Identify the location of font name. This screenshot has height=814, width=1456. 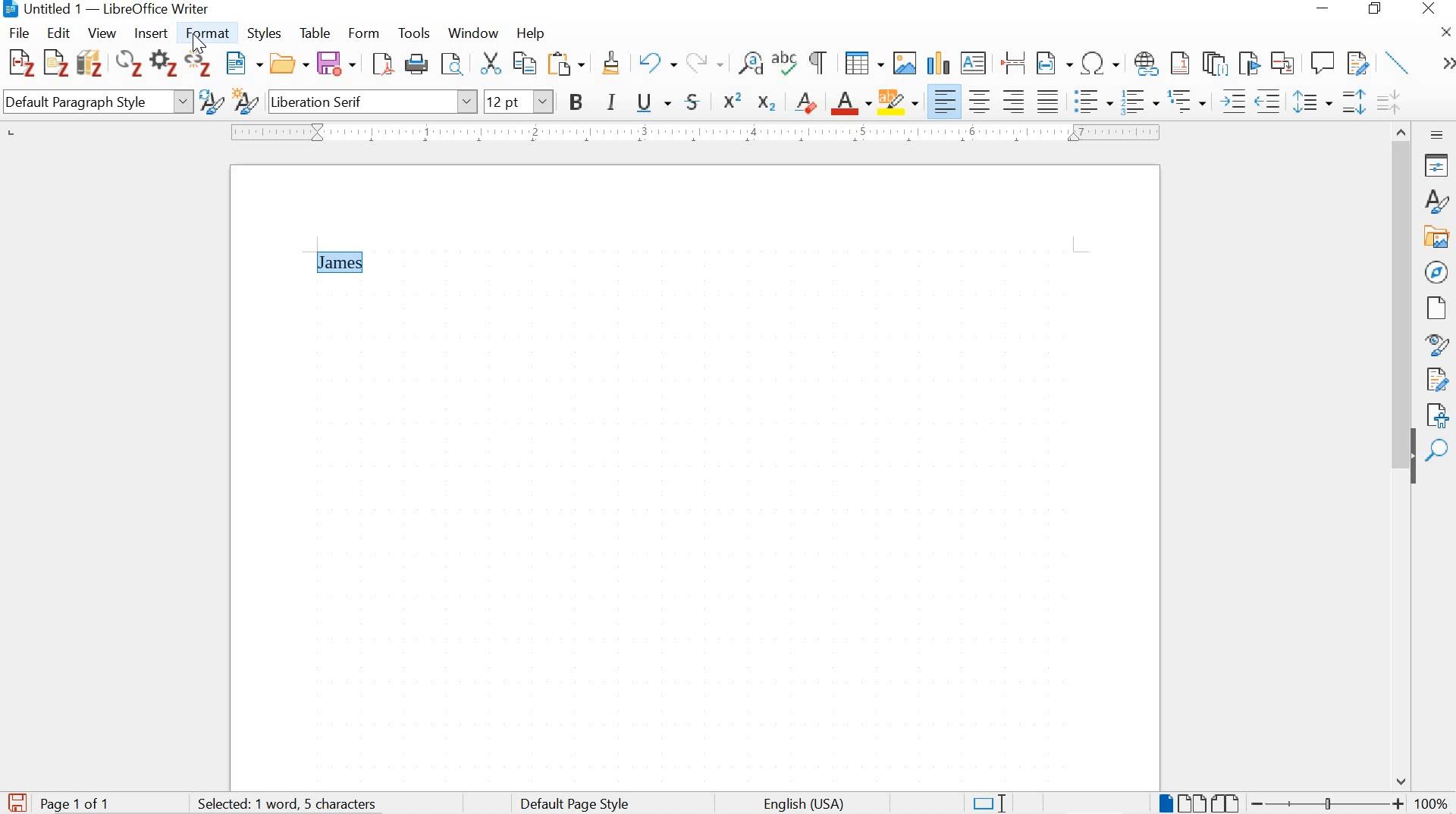
(372, 101).